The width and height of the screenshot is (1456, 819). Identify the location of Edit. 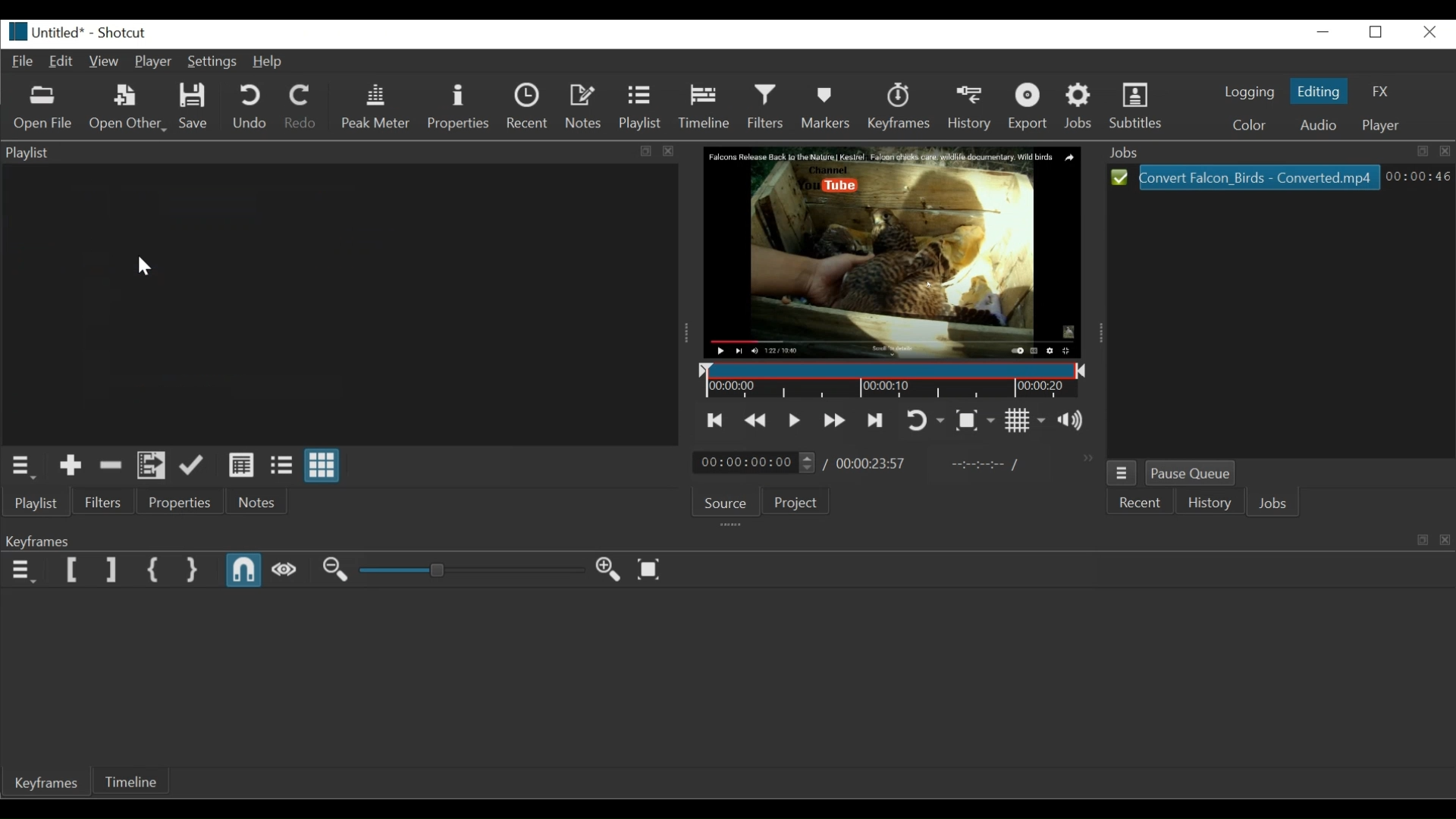
(62, 61).